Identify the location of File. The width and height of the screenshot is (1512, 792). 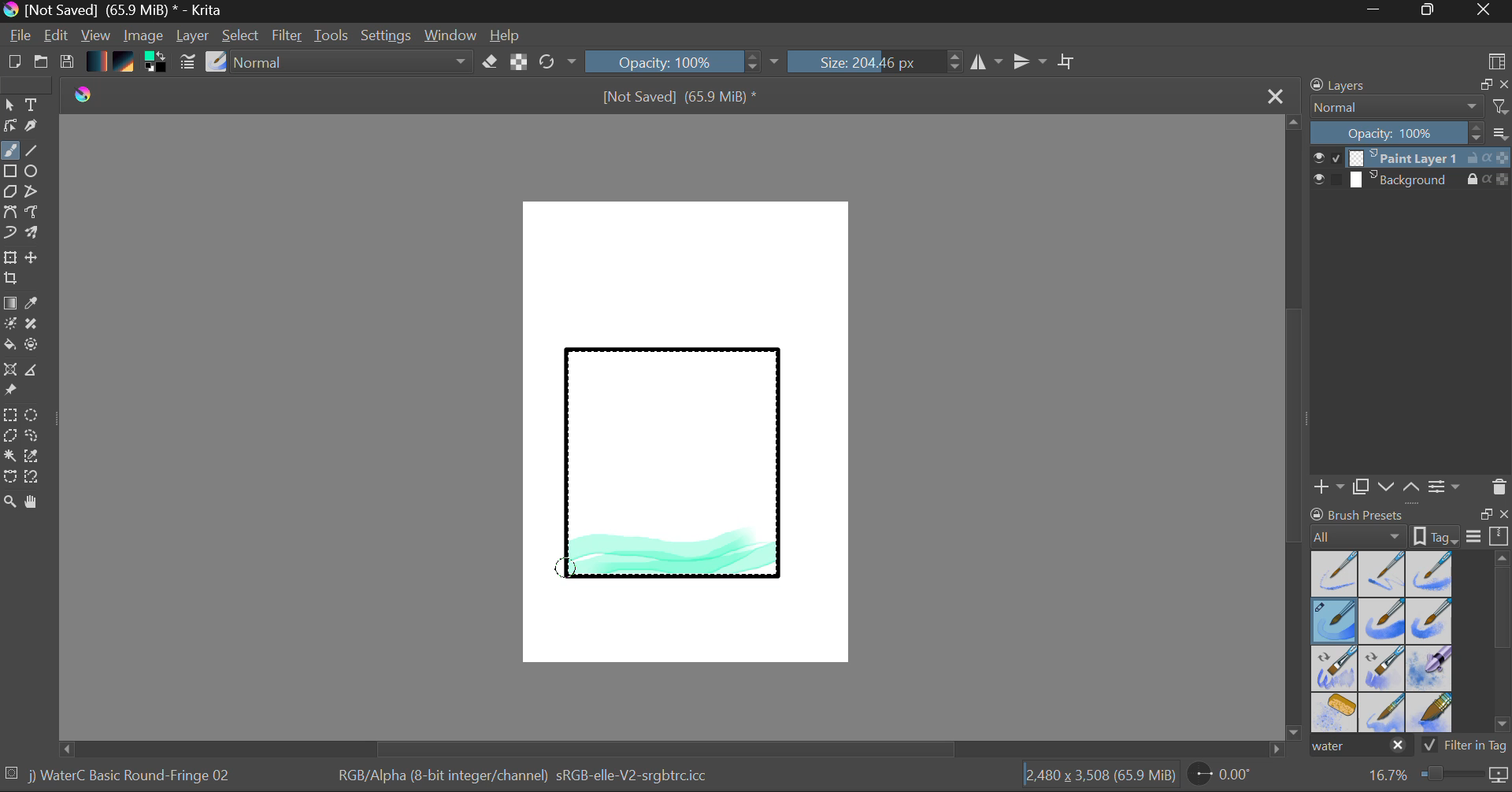
(20, 38).